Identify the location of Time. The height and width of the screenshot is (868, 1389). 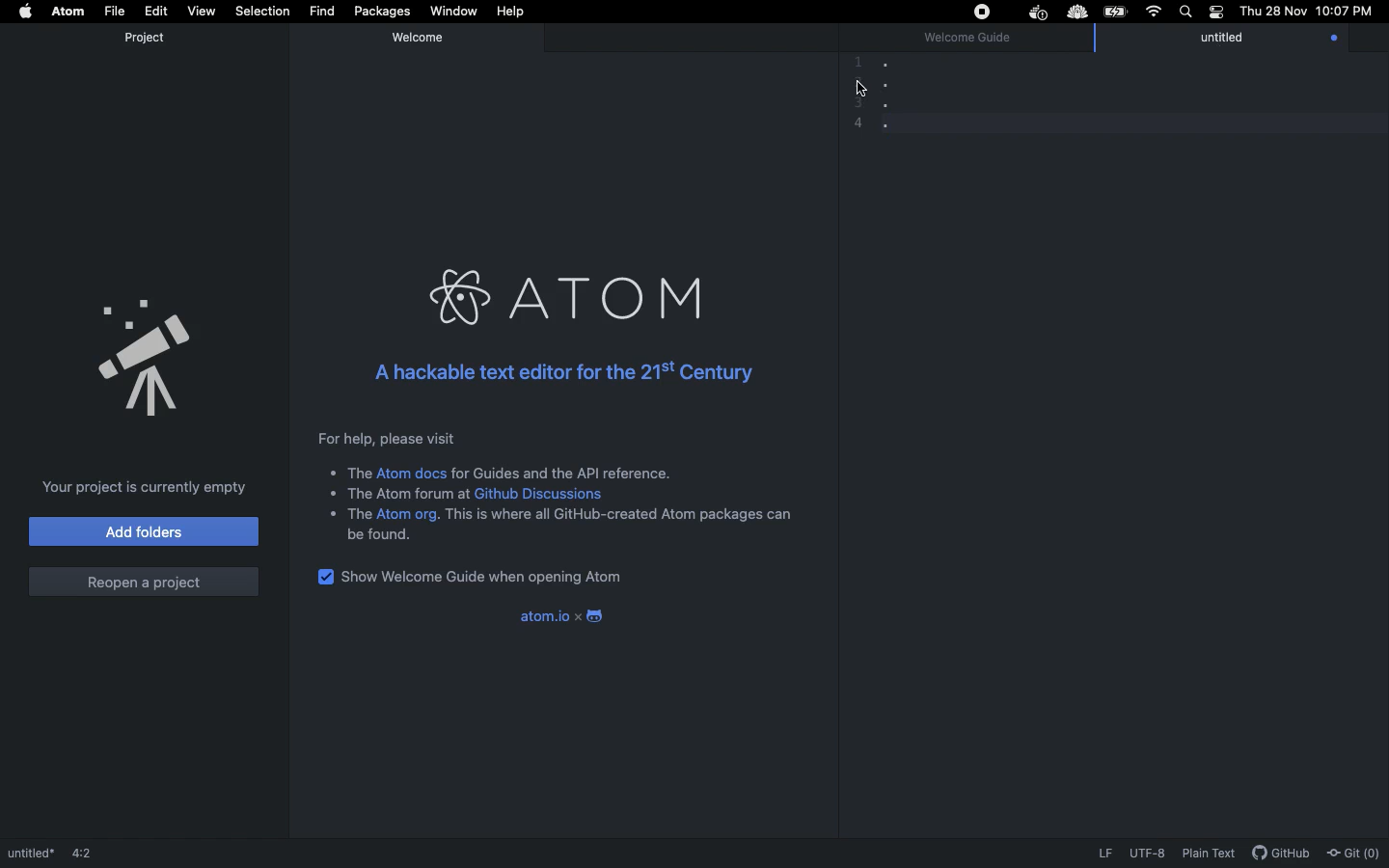
(1345, 14).